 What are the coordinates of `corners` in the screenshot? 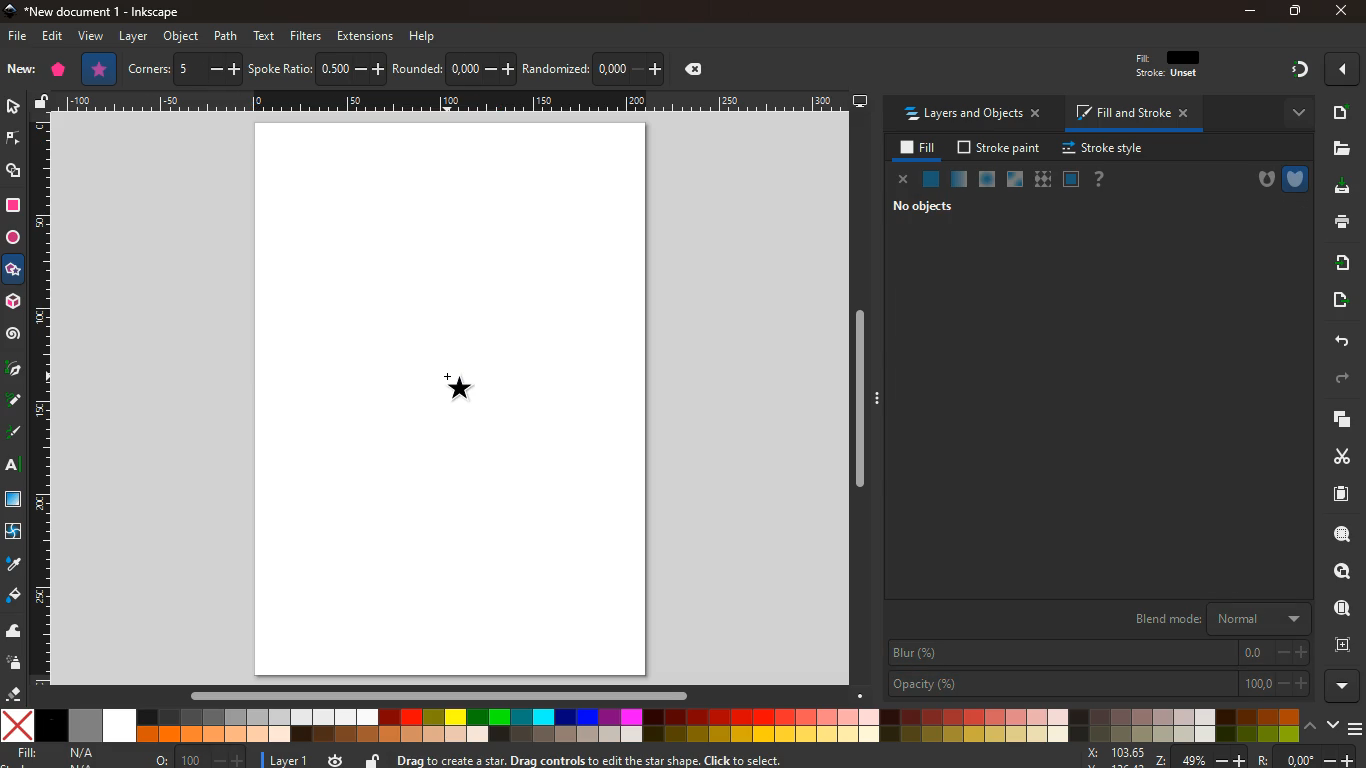 It's located at (184, 70).